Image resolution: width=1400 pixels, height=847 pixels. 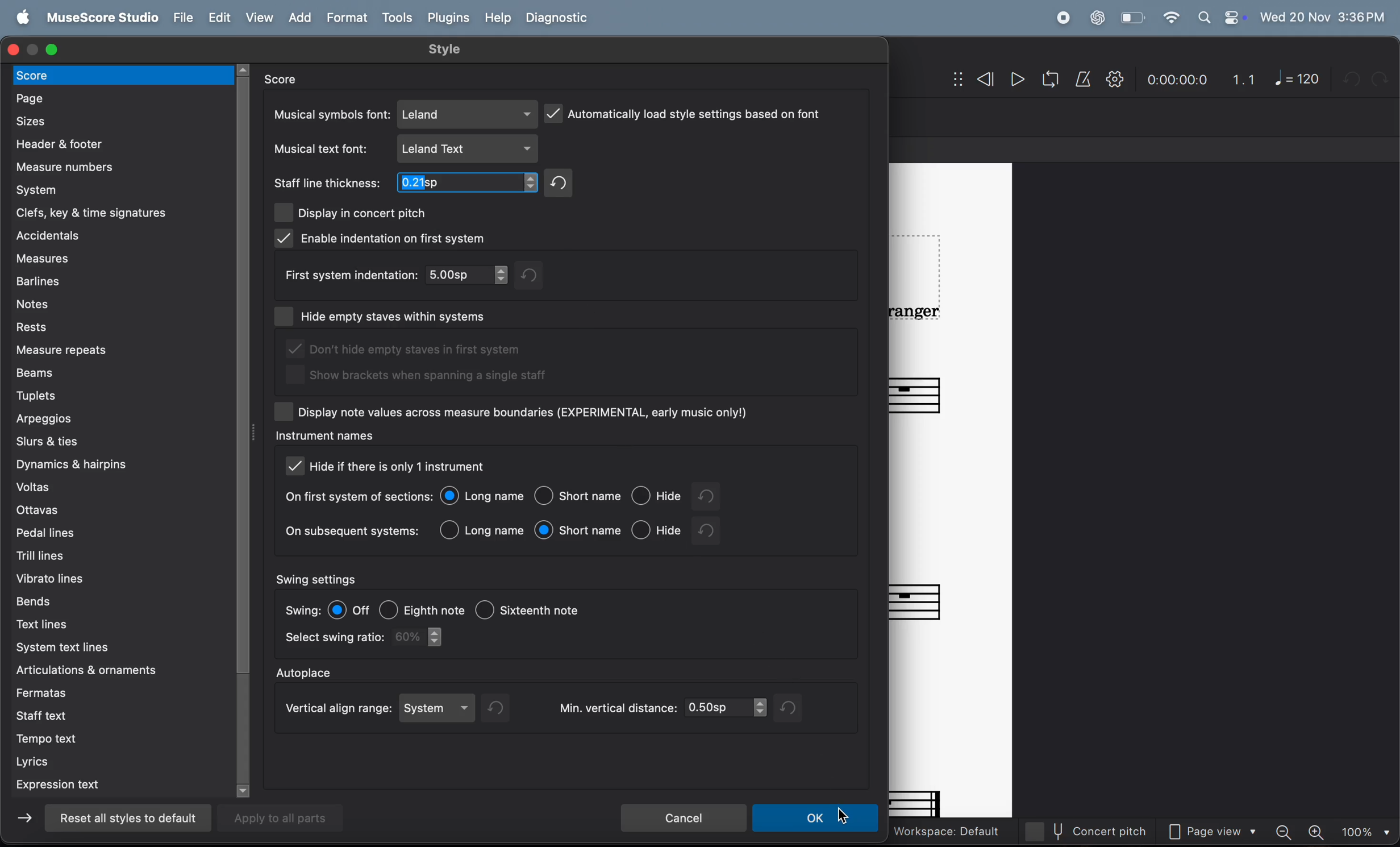 What do you see at coordinates (99, 600) in the screenshot?
I see `bends` at bounding box center [99, 600].